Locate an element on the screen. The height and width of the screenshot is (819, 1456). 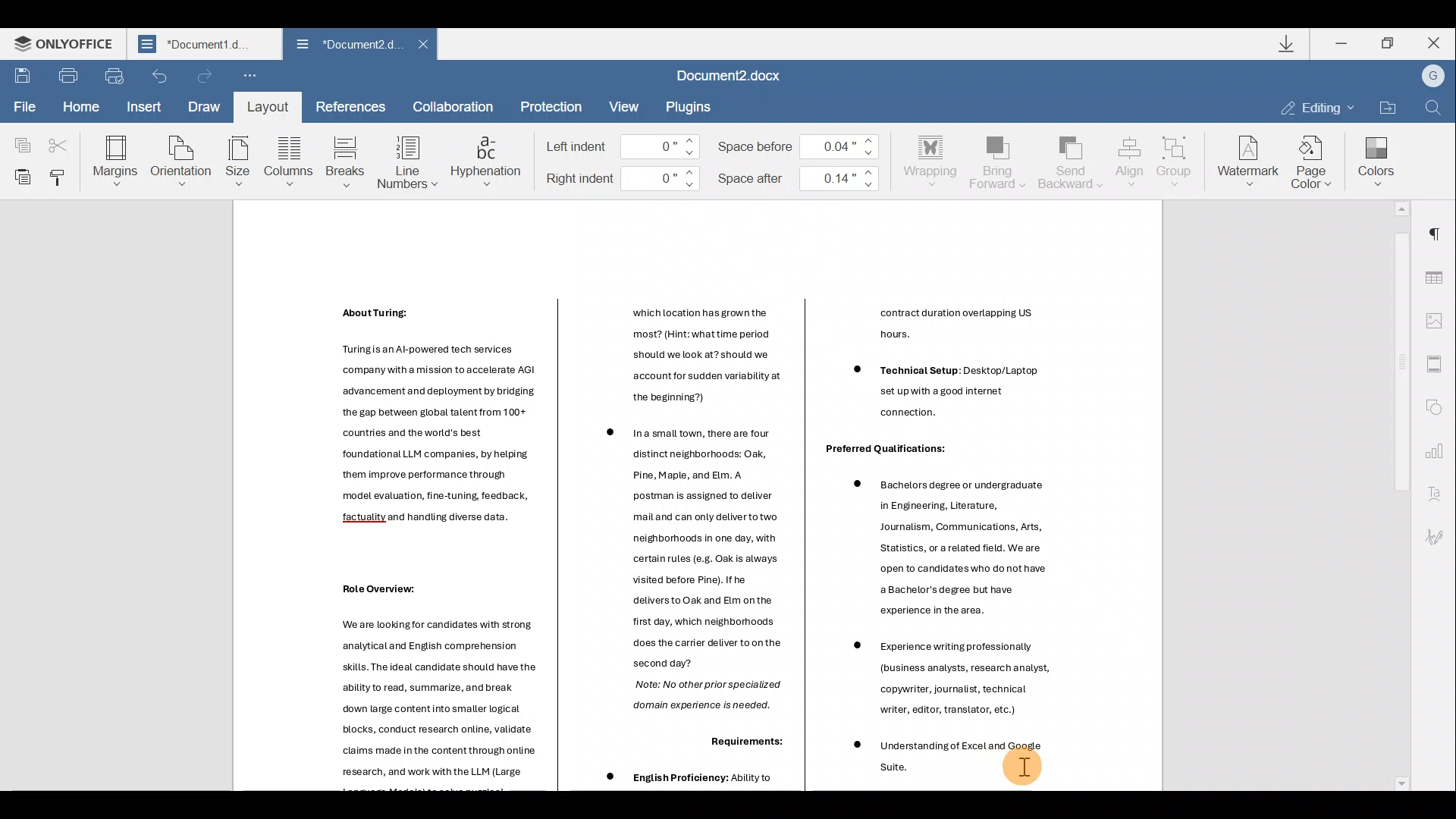
Page color is located at coordinates (1315, 159).